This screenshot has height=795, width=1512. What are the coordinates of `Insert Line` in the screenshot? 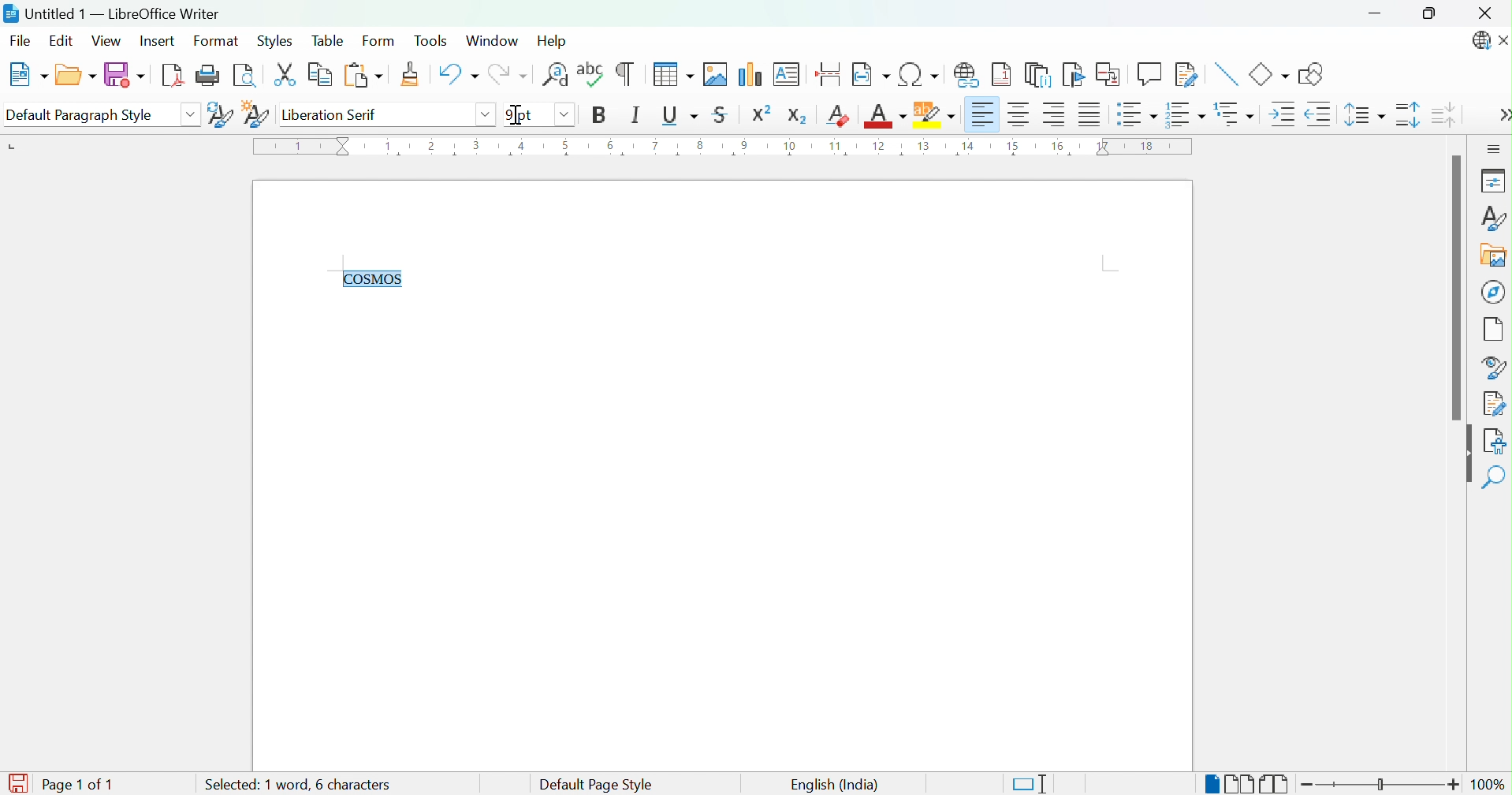 It's located at (1224, 72).